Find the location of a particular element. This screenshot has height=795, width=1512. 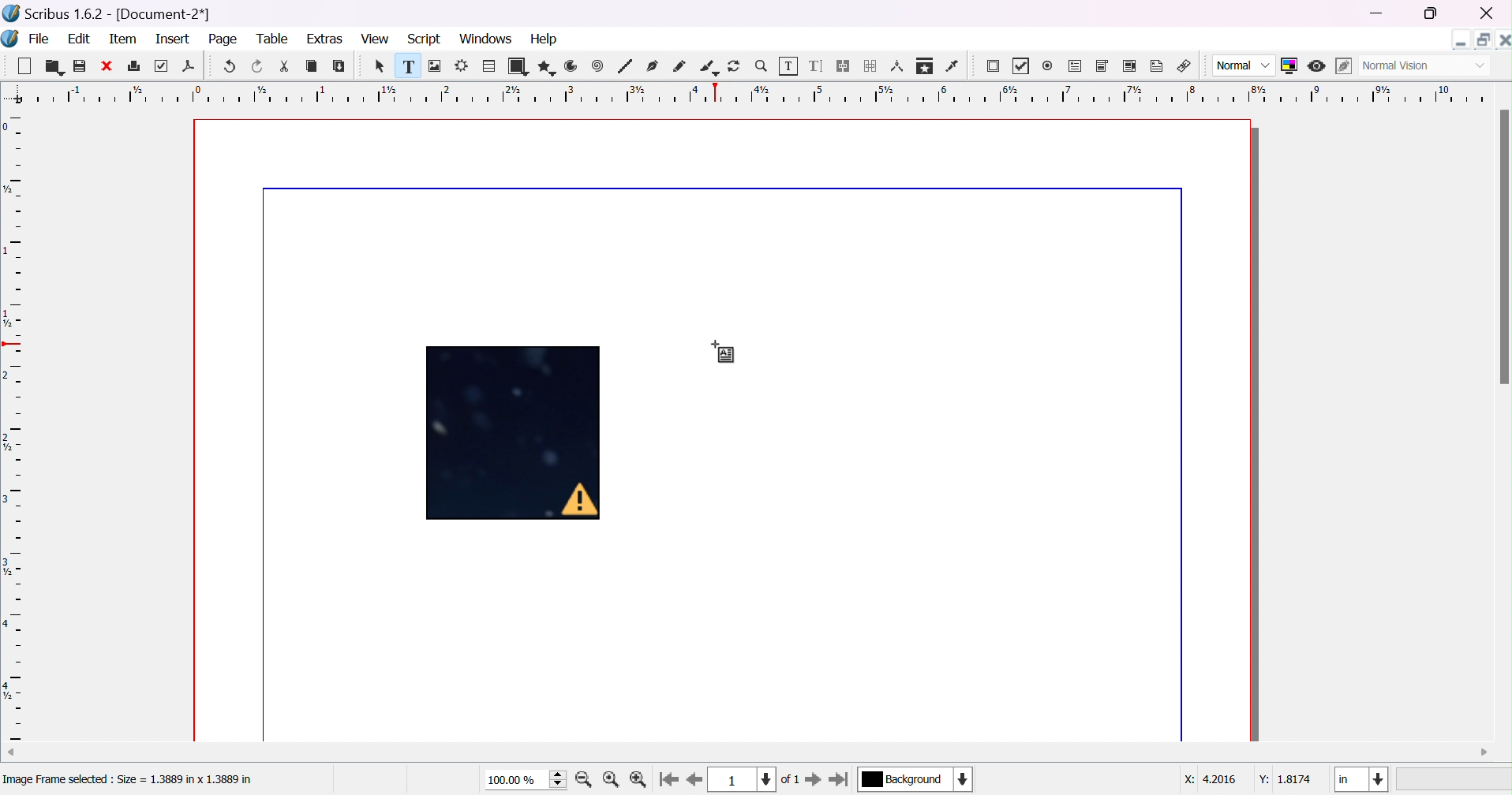

rotate item is located at coordinates (735, 65).